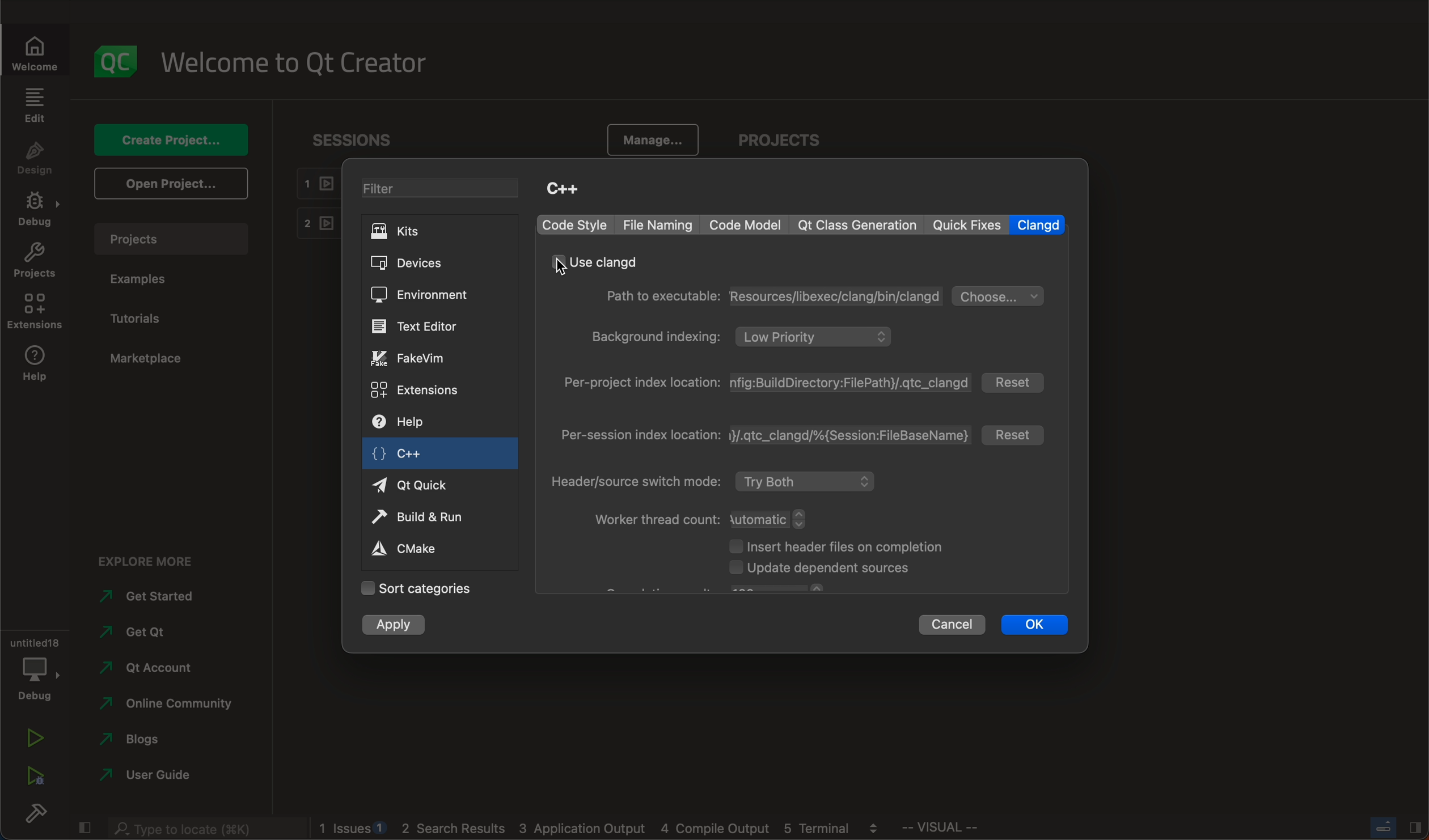 This screenshot has height=840, width=1429. I want to click on explore, so click(155, 560).